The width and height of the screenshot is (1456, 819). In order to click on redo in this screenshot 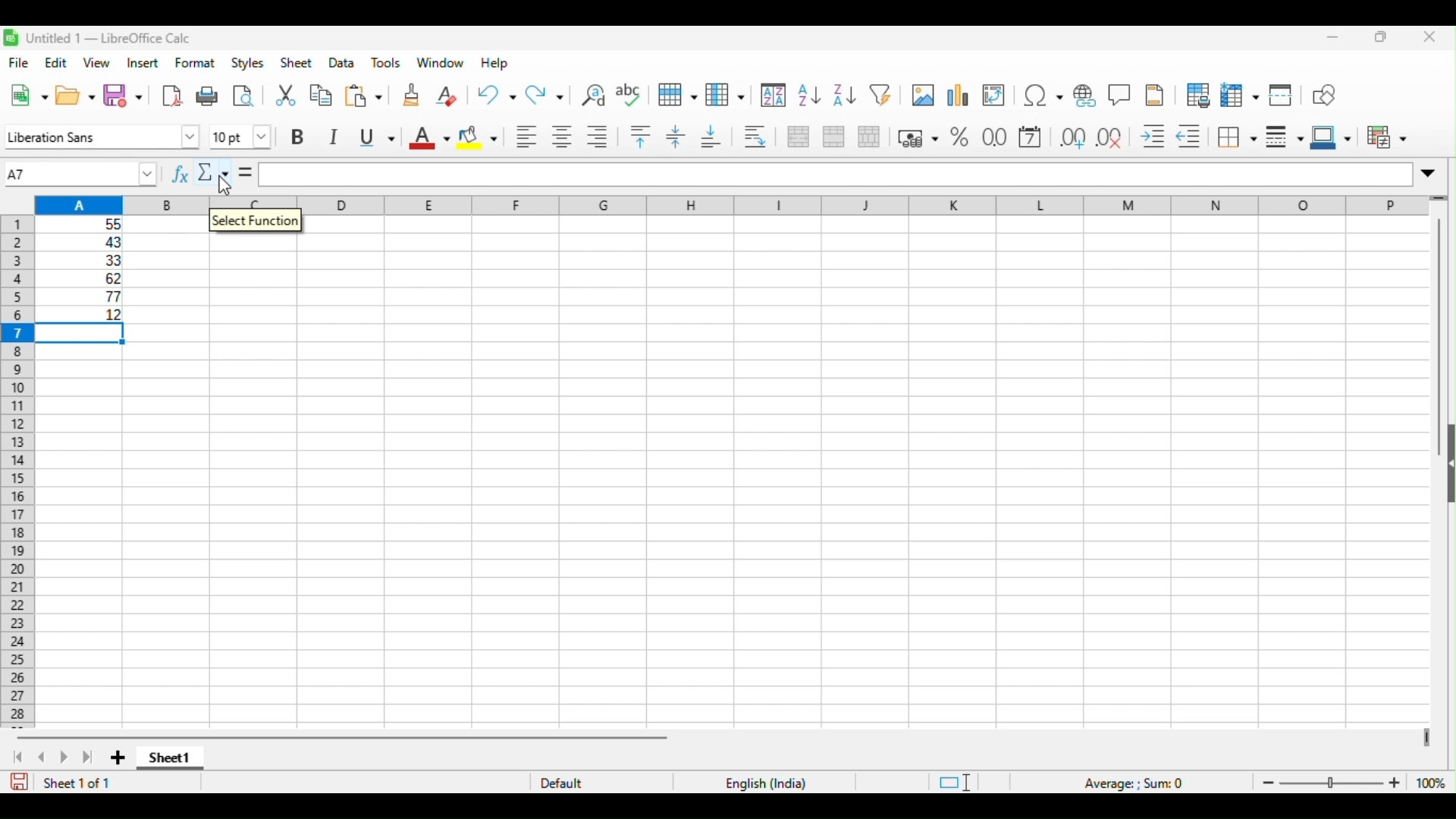, I will do `click(547, 96)`.